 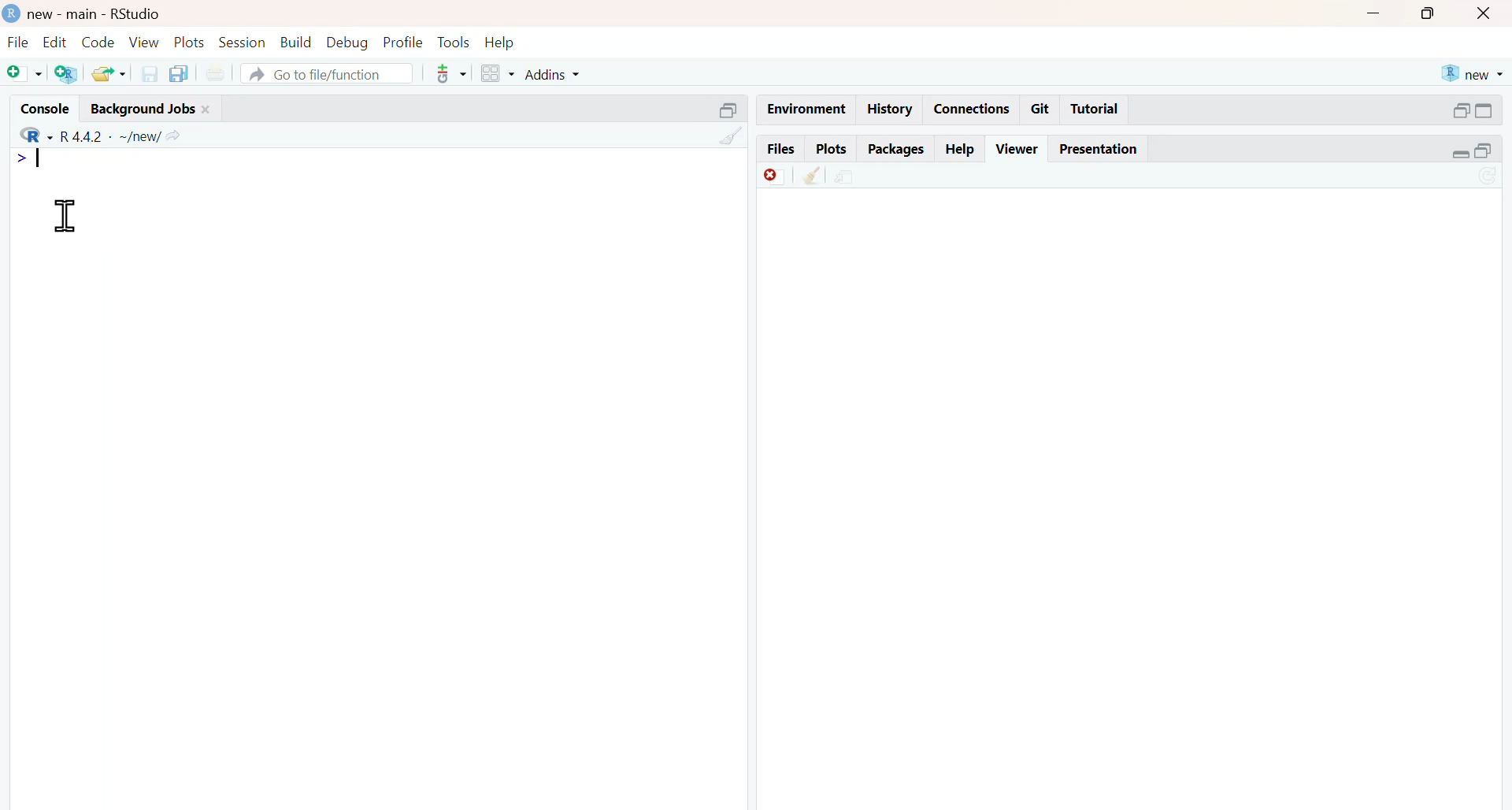 I want to click on Environment , so click(x=807, y=109).